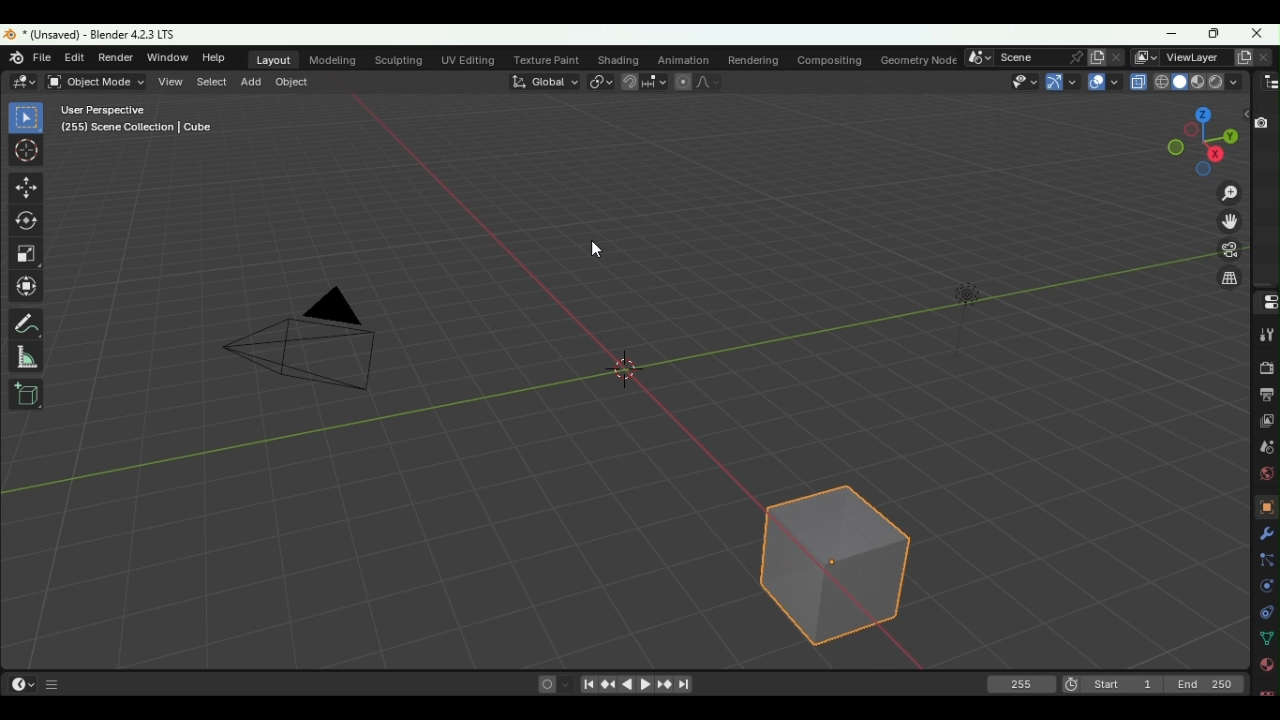 Image resolution: width=1280 pixels, height=720 pixels. I want to click on Remove view layer, so click(1262, 58).